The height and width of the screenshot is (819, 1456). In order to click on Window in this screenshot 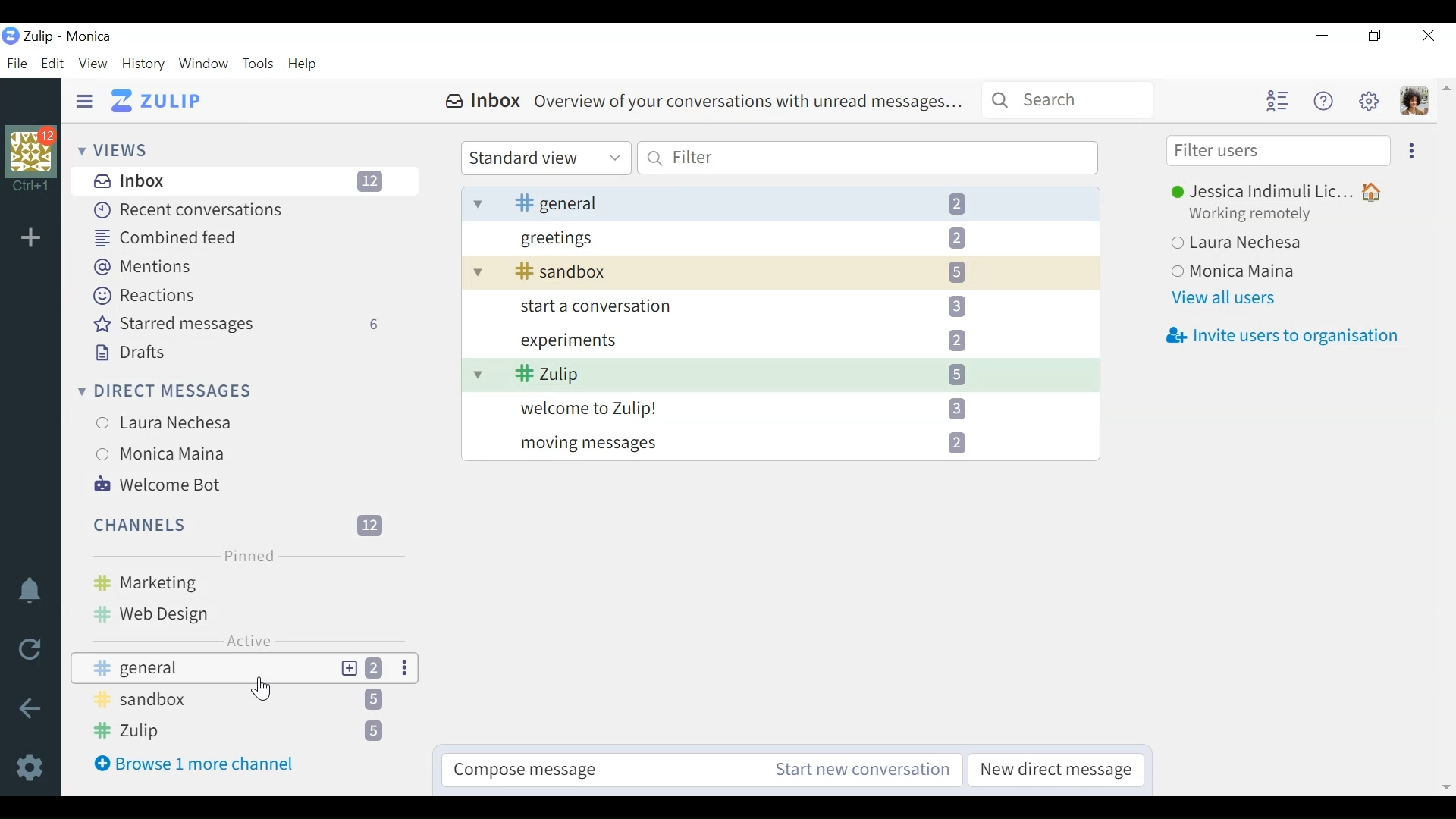, I will do `click(204, 65)`.